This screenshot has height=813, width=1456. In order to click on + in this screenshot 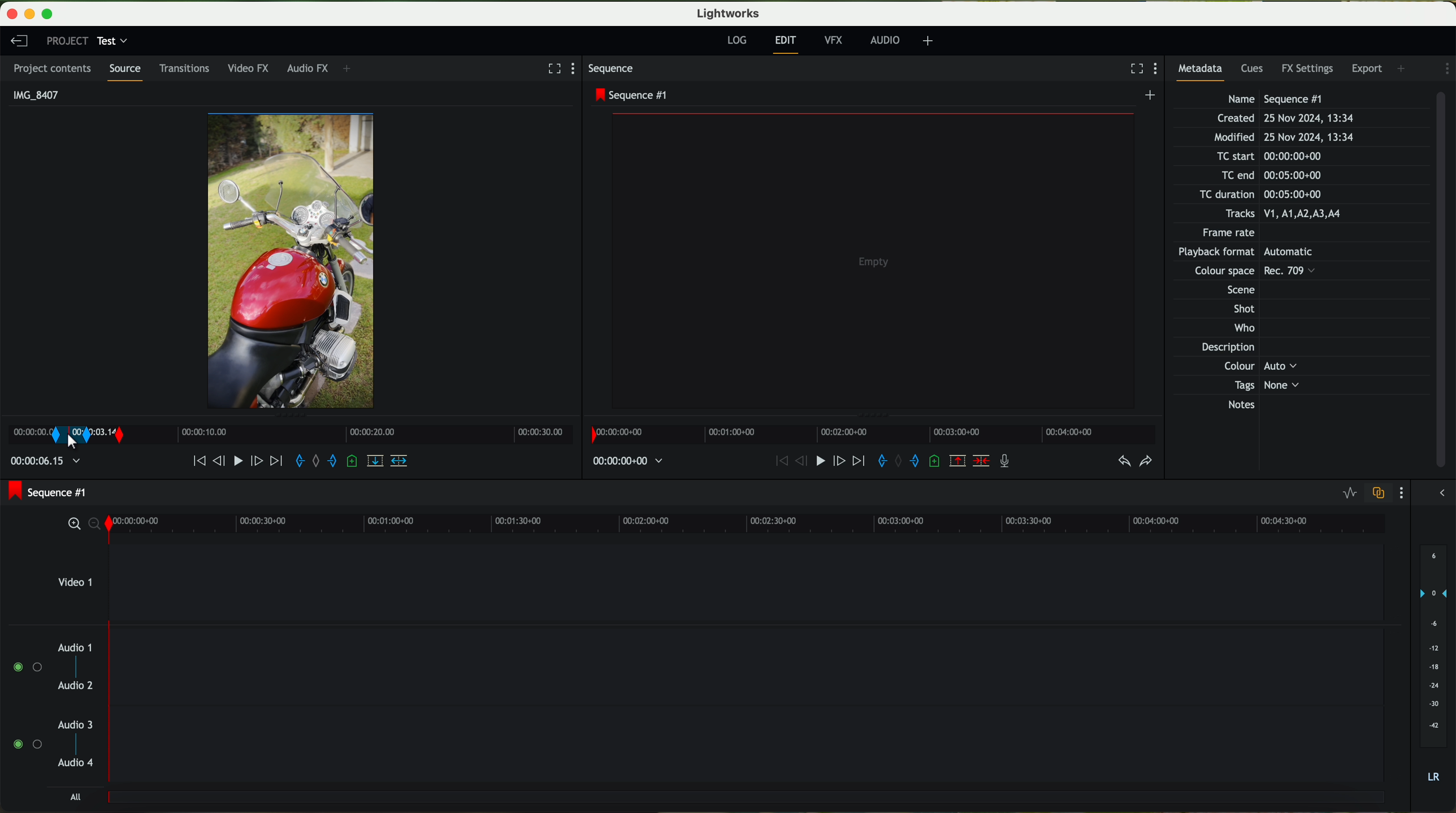, I will do `click(351, 70)`.